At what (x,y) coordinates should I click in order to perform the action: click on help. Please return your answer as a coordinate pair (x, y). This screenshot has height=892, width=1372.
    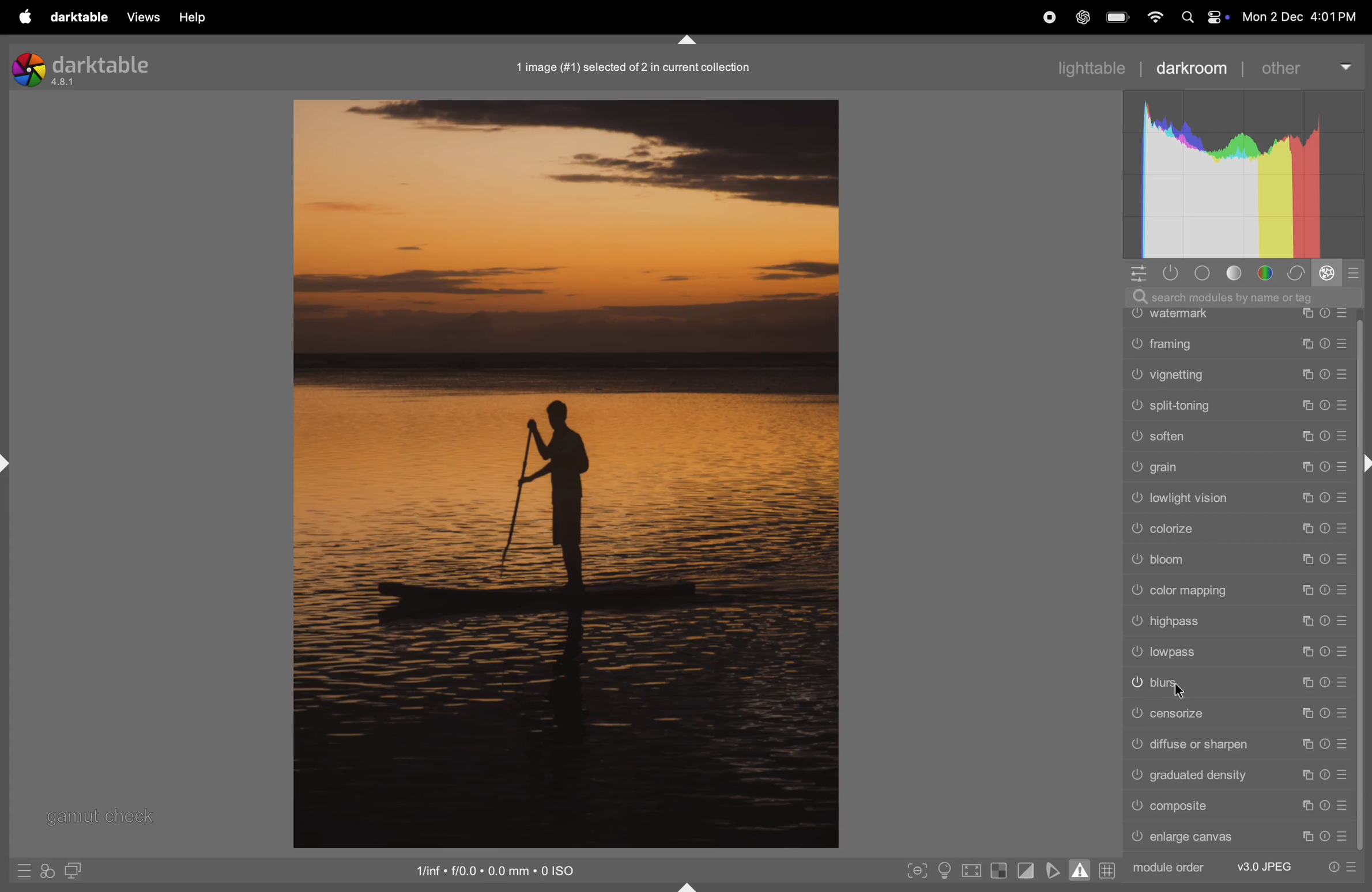
    Looking at the image, I should click on (196, 18).